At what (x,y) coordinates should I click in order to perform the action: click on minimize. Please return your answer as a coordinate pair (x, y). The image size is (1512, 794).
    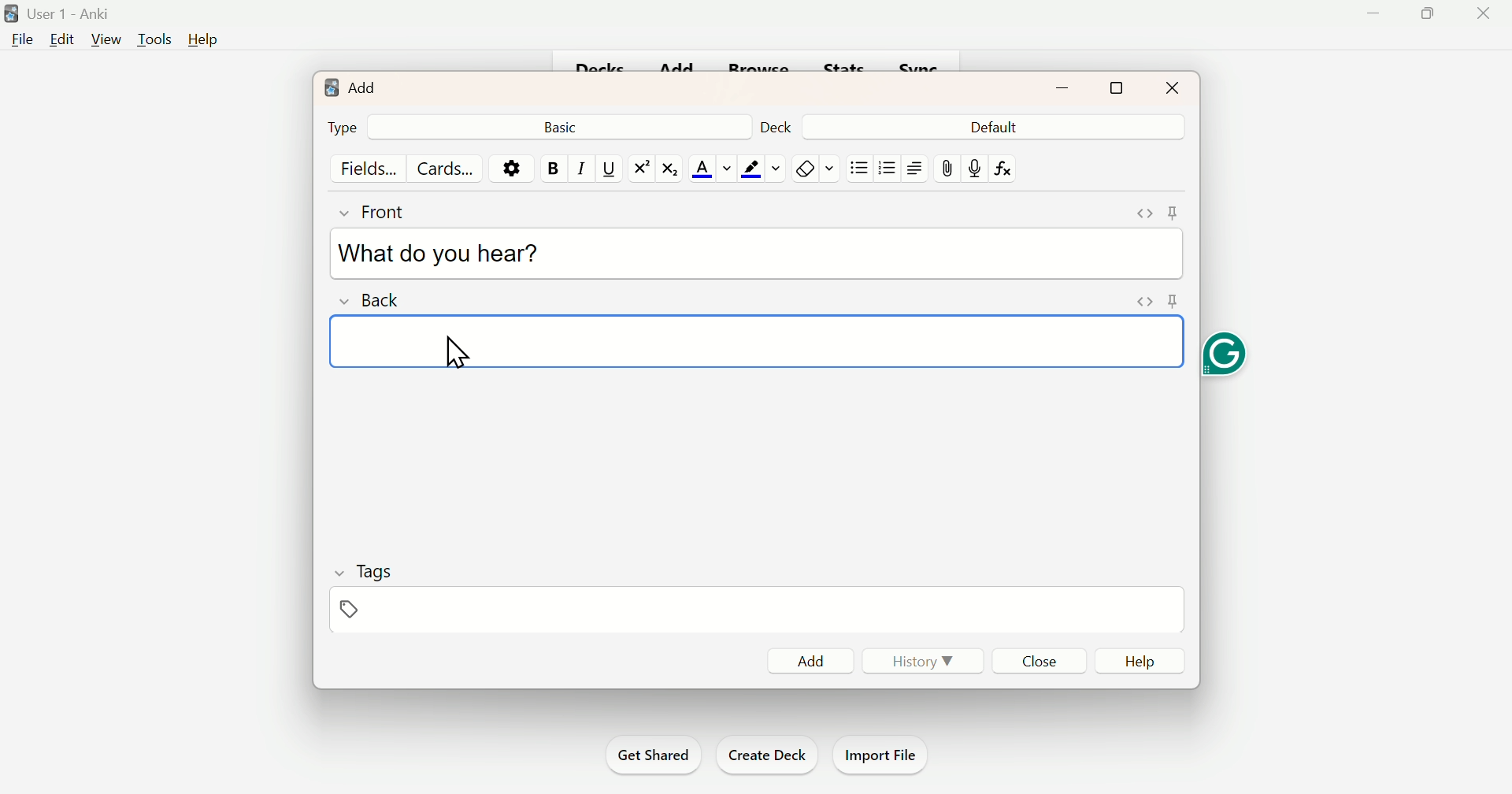
    Looking at the image, I should click on (1062, 88).